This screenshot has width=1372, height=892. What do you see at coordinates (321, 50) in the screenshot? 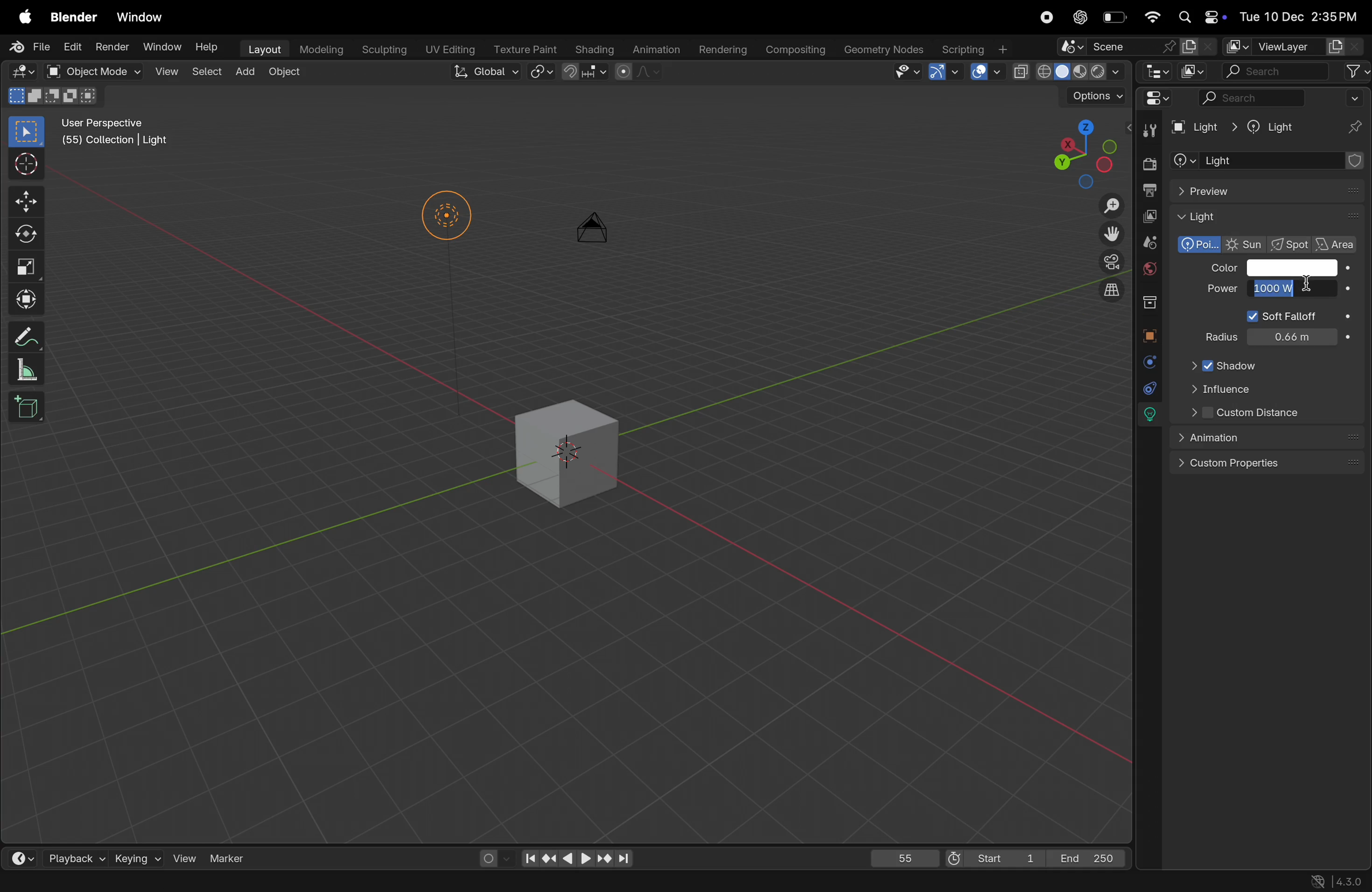
I see `modelling` at bounding box center [321, 50].